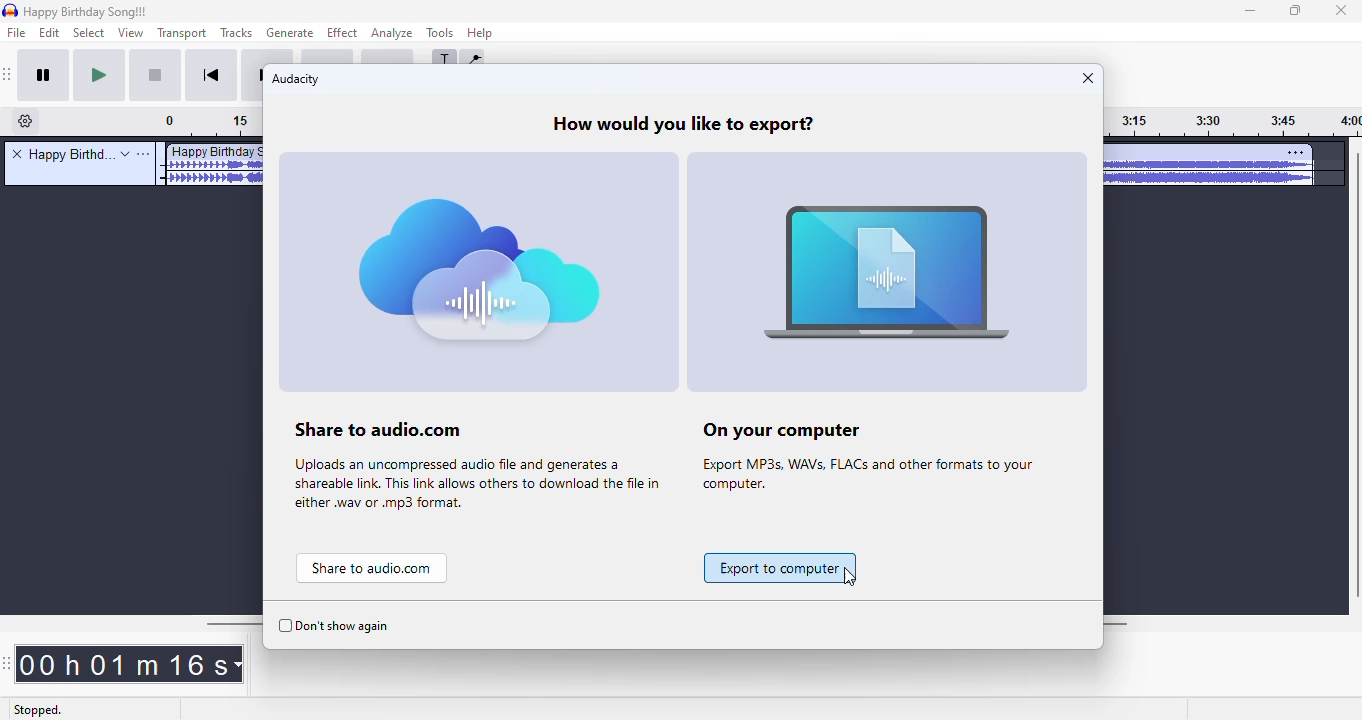  I want to click on share to audio.com, so click(480, 335).